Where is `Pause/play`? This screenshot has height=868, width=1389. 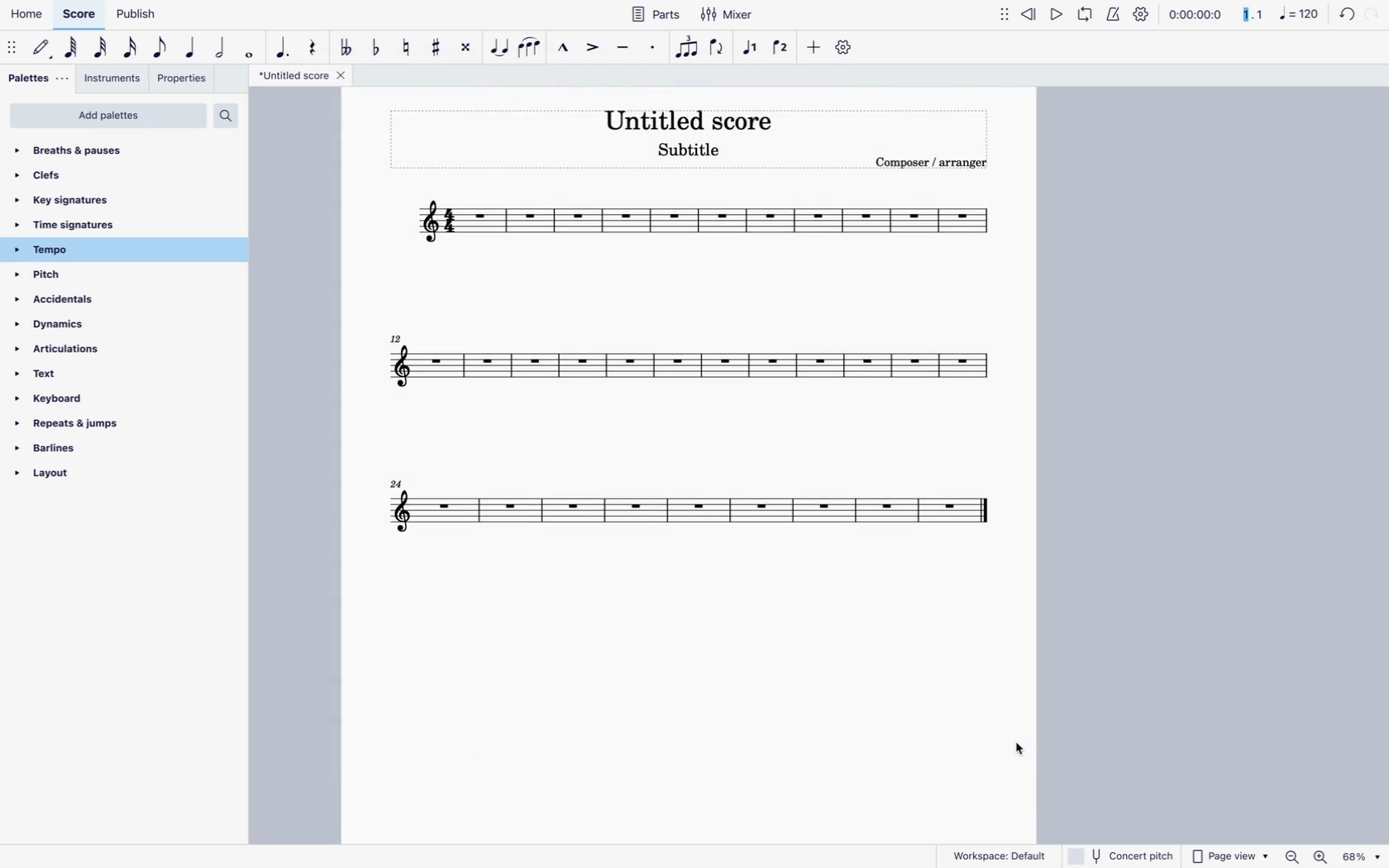 Pause/play is located at coordinates (1070, 17).